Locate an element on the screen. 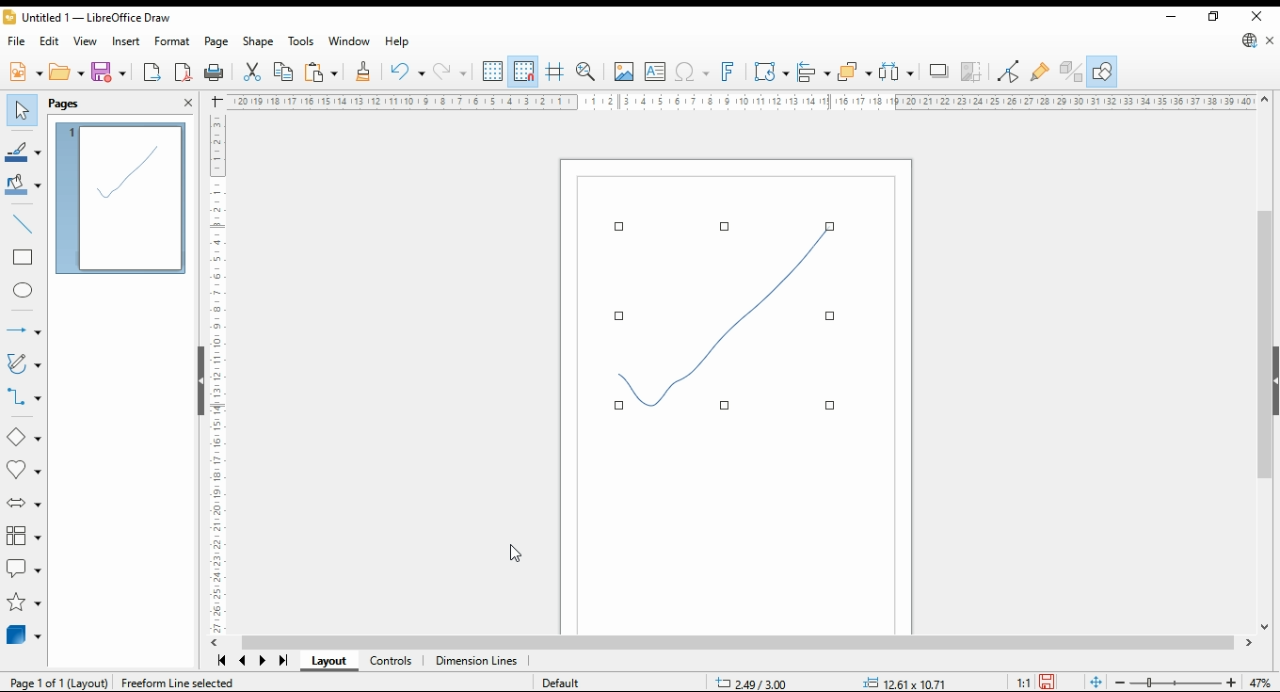  snap to grid is located at coordinates (525, 72).